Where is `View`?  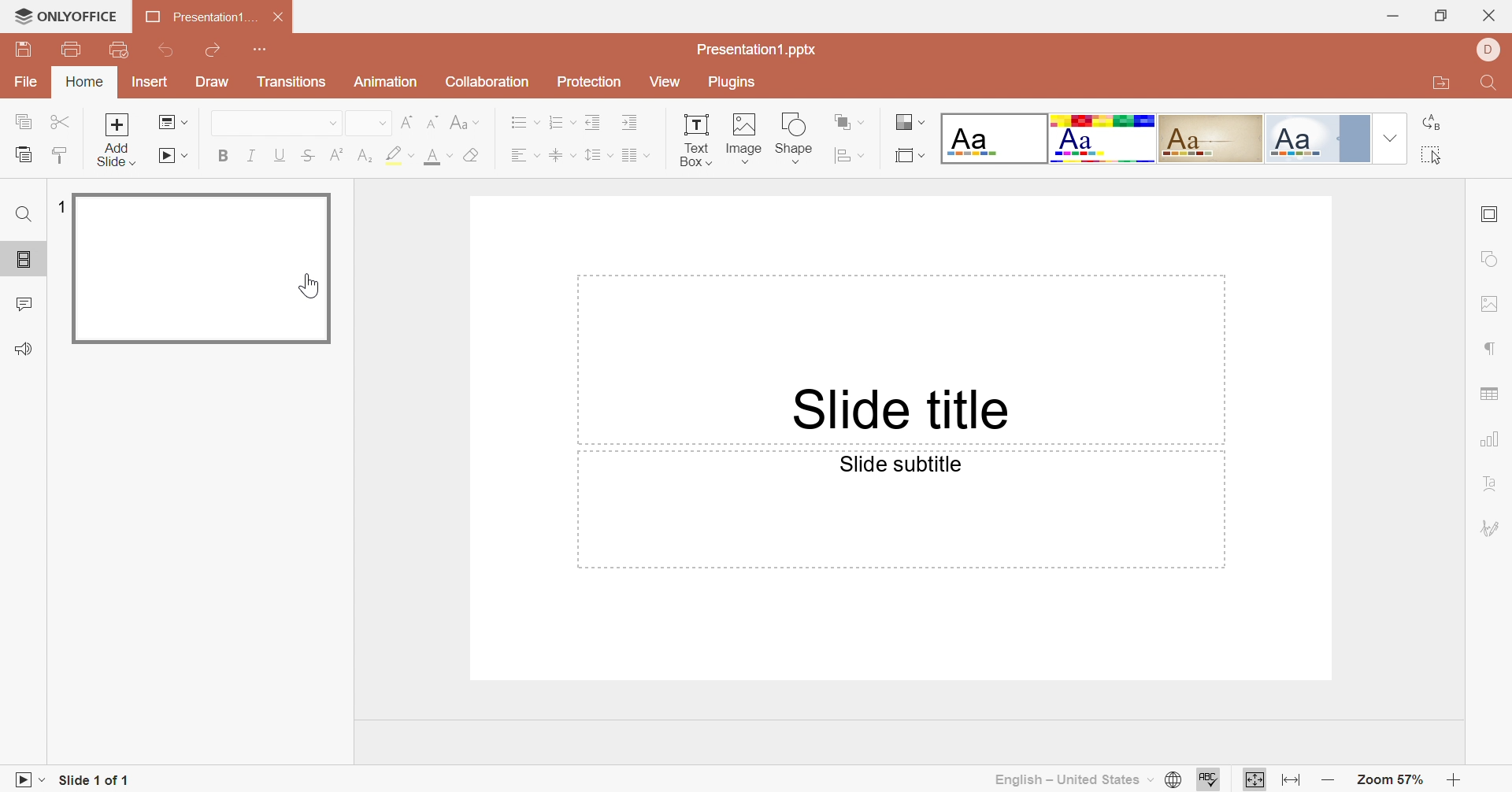 View is located at coordinates (666, 82).